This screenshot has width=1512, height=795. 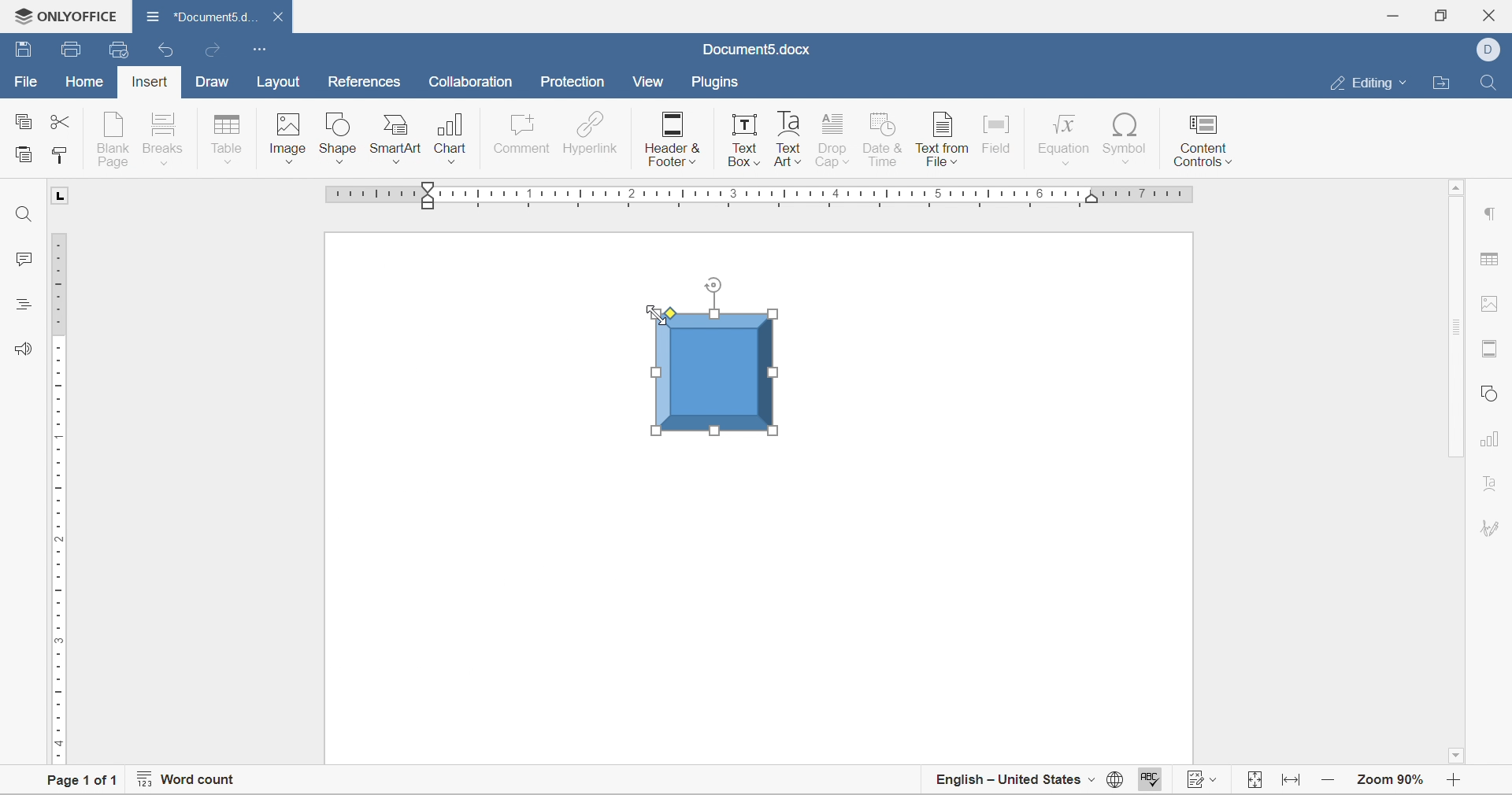 What do you see at coordinates (24, 50) in the screenshot?
I see `save` at bounding box center [24, 50].